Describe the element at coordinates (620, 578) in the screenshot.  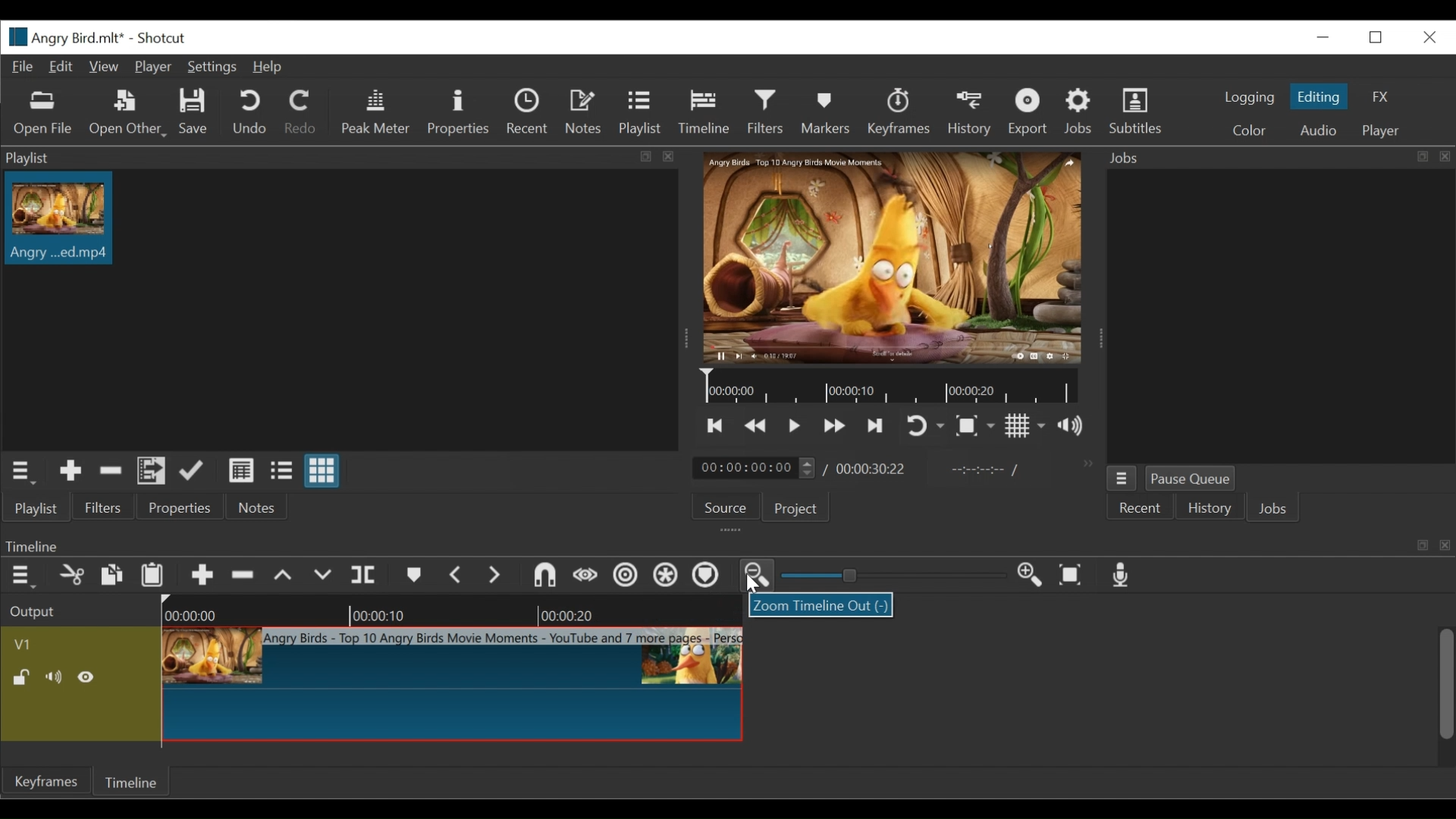
I see `Set Second Simple Keyframe` at that location.